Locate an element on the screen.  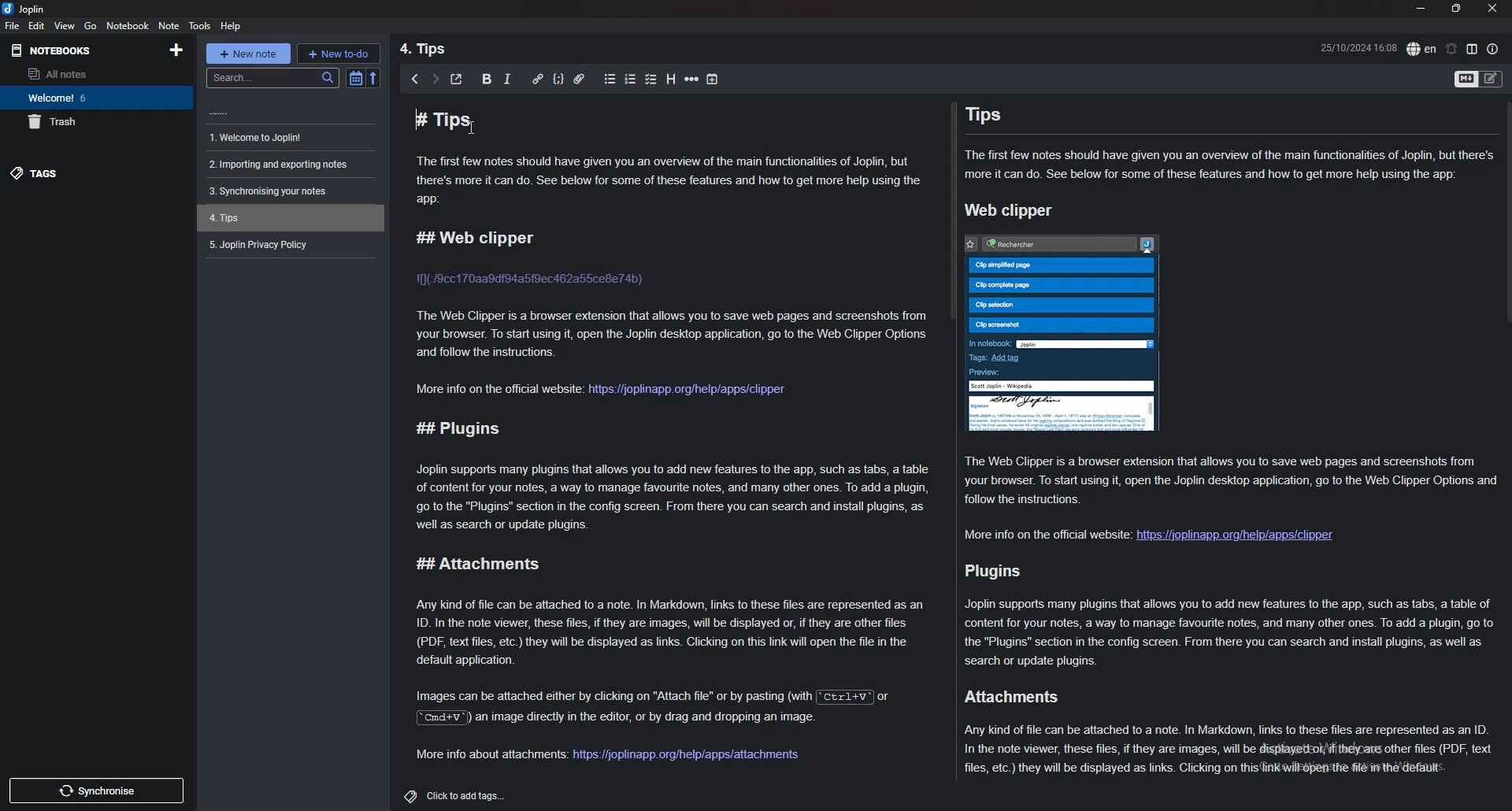
Researcher is located at coordinates (1039, 243).